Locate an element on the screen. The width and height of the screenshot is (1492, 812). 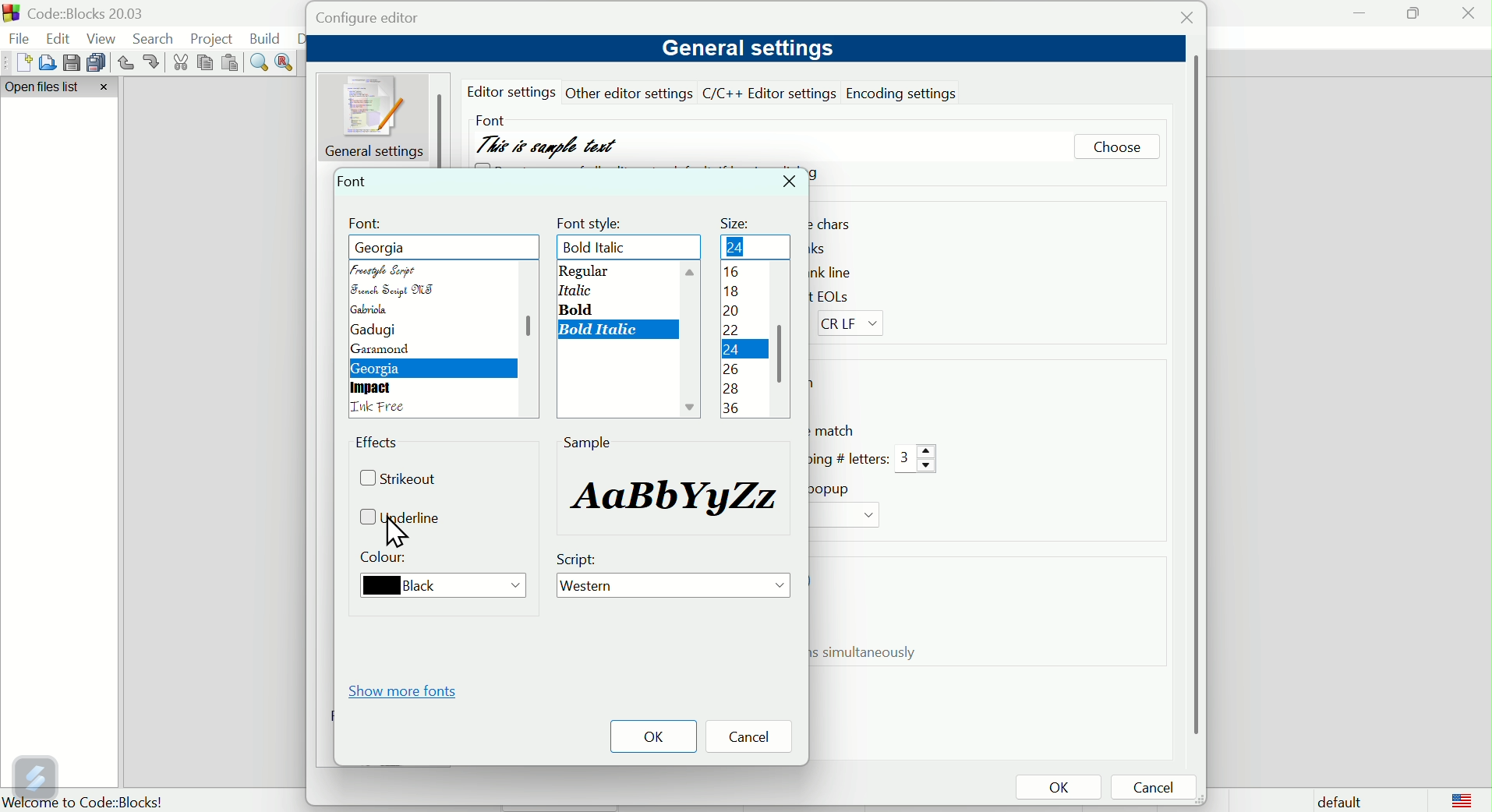
font style is located at coordinates (592, 221).